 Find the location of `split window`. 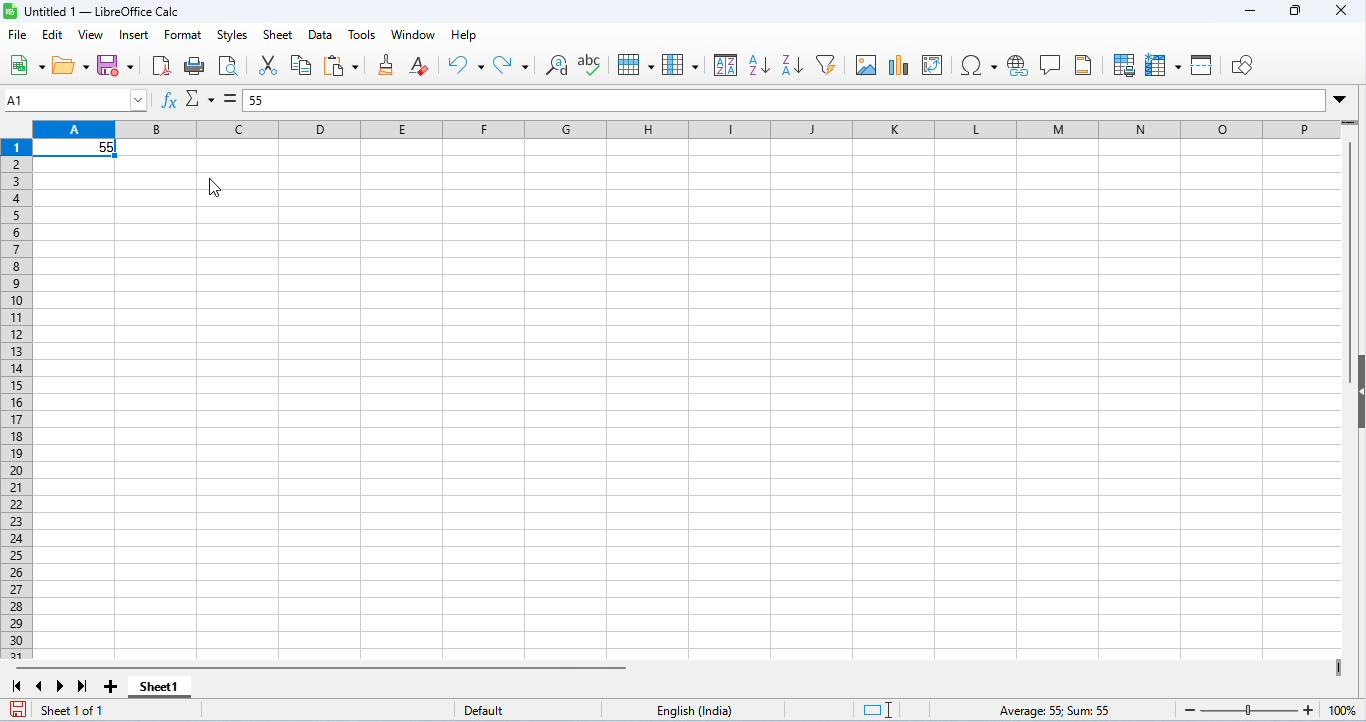

split window is located at coordinates (1202, 65).